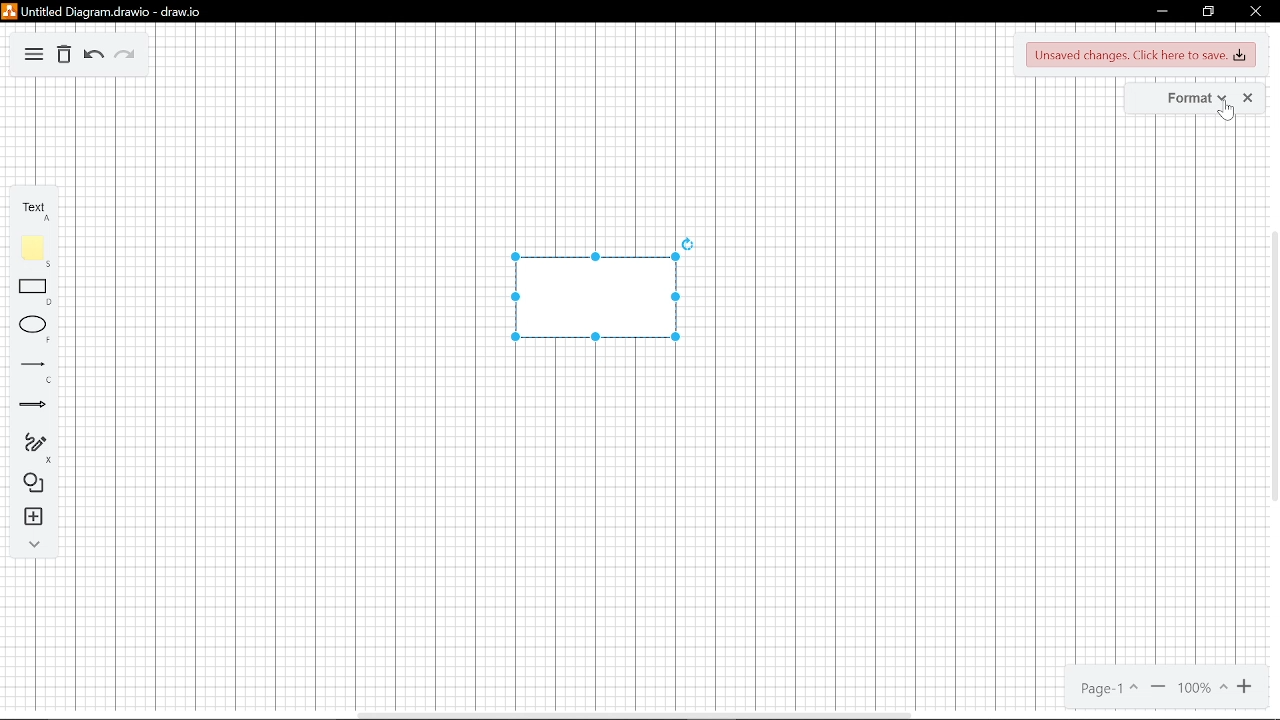 The width and height of the screenshot is (1280, 720). What do you see at coordinates (38, 204) in the screenshot?
I see `Text` at bounding box center [38, 204].